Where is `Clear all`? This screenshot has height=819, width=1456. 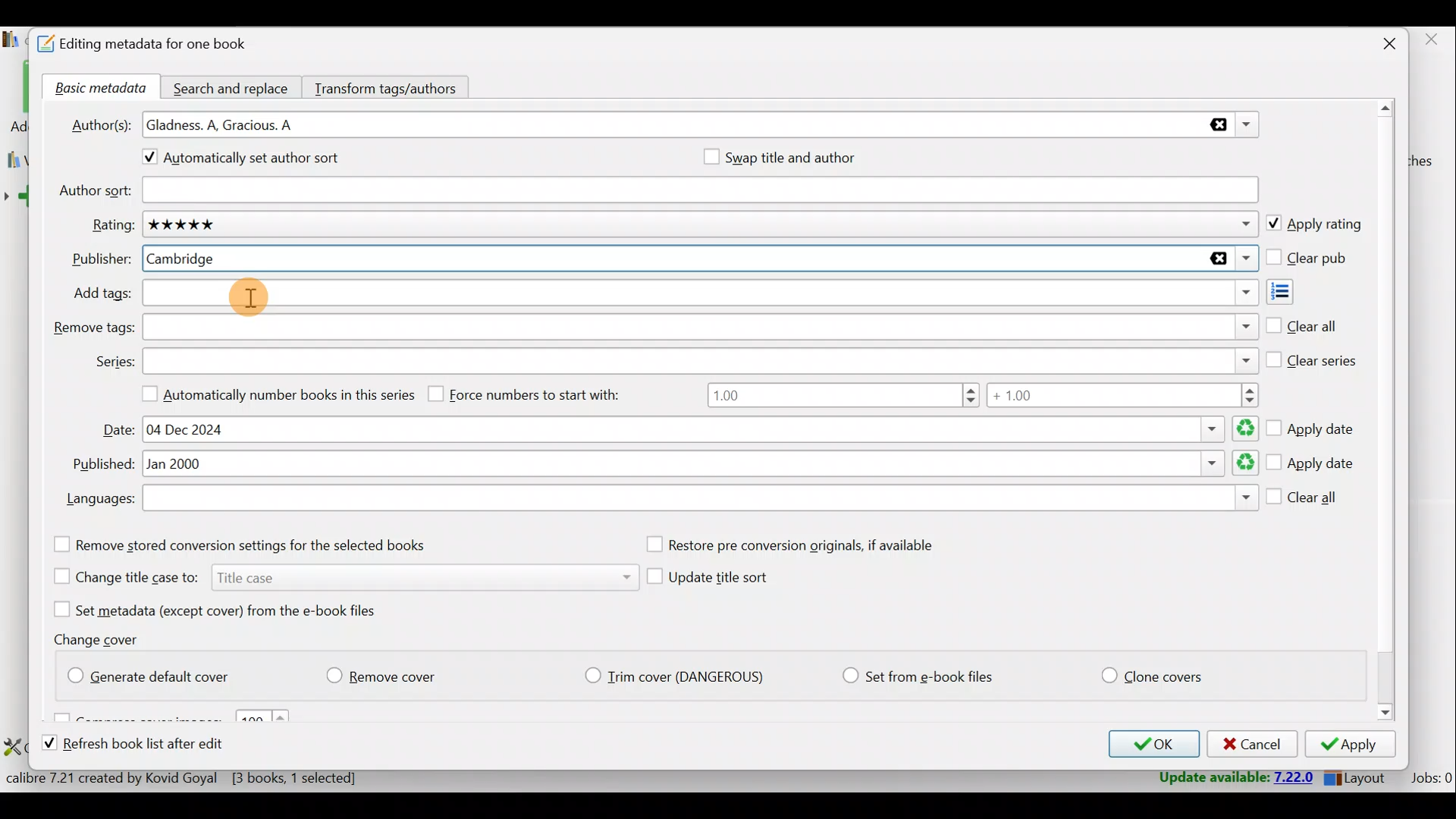
Clear all is located at coordinates (1304, 500).